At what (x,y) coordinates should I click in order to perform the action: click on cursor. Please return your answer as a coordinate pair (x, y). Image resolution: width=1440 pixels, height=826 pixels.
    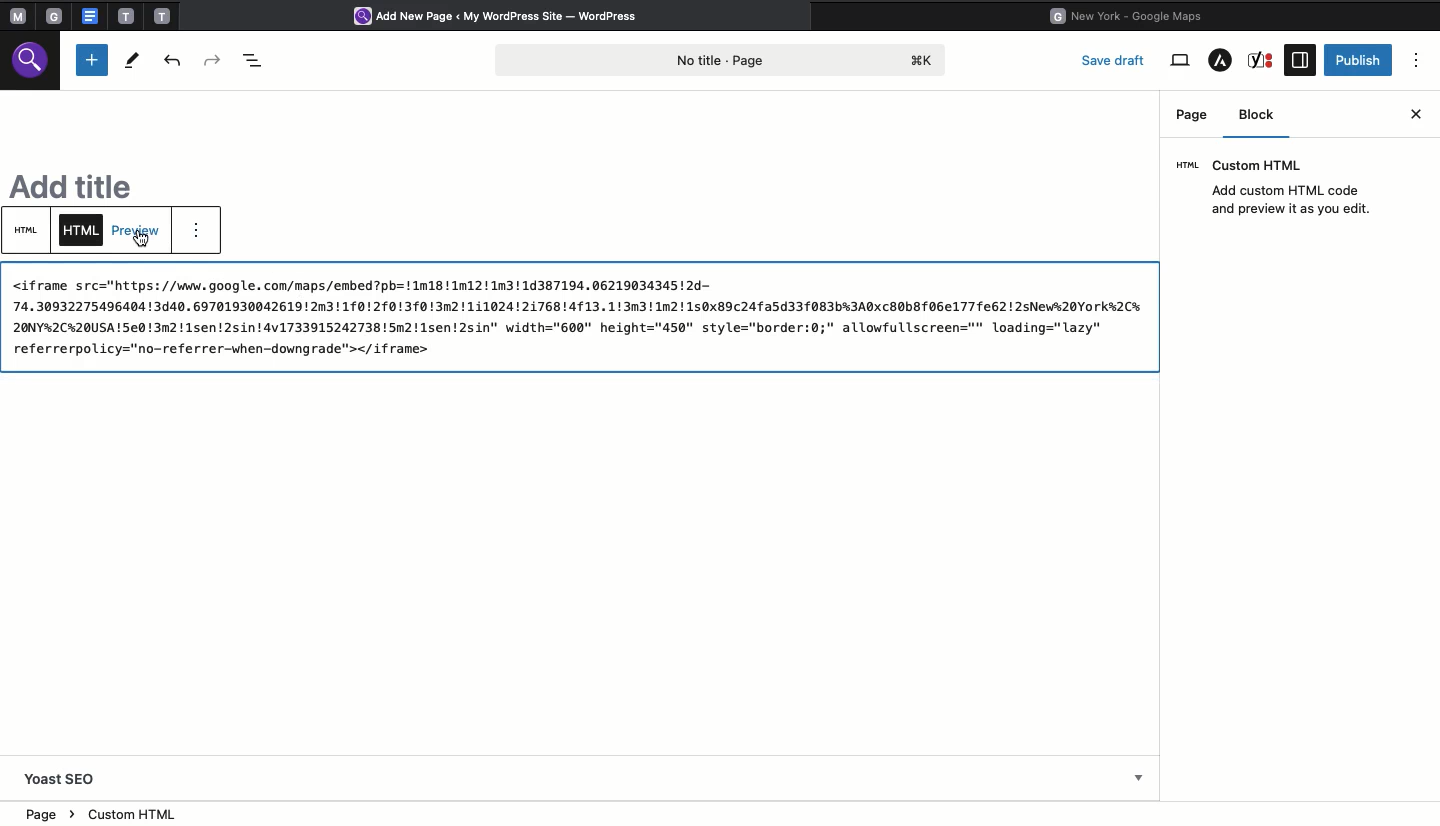
    Looking at the image, I should click on (138, 244).